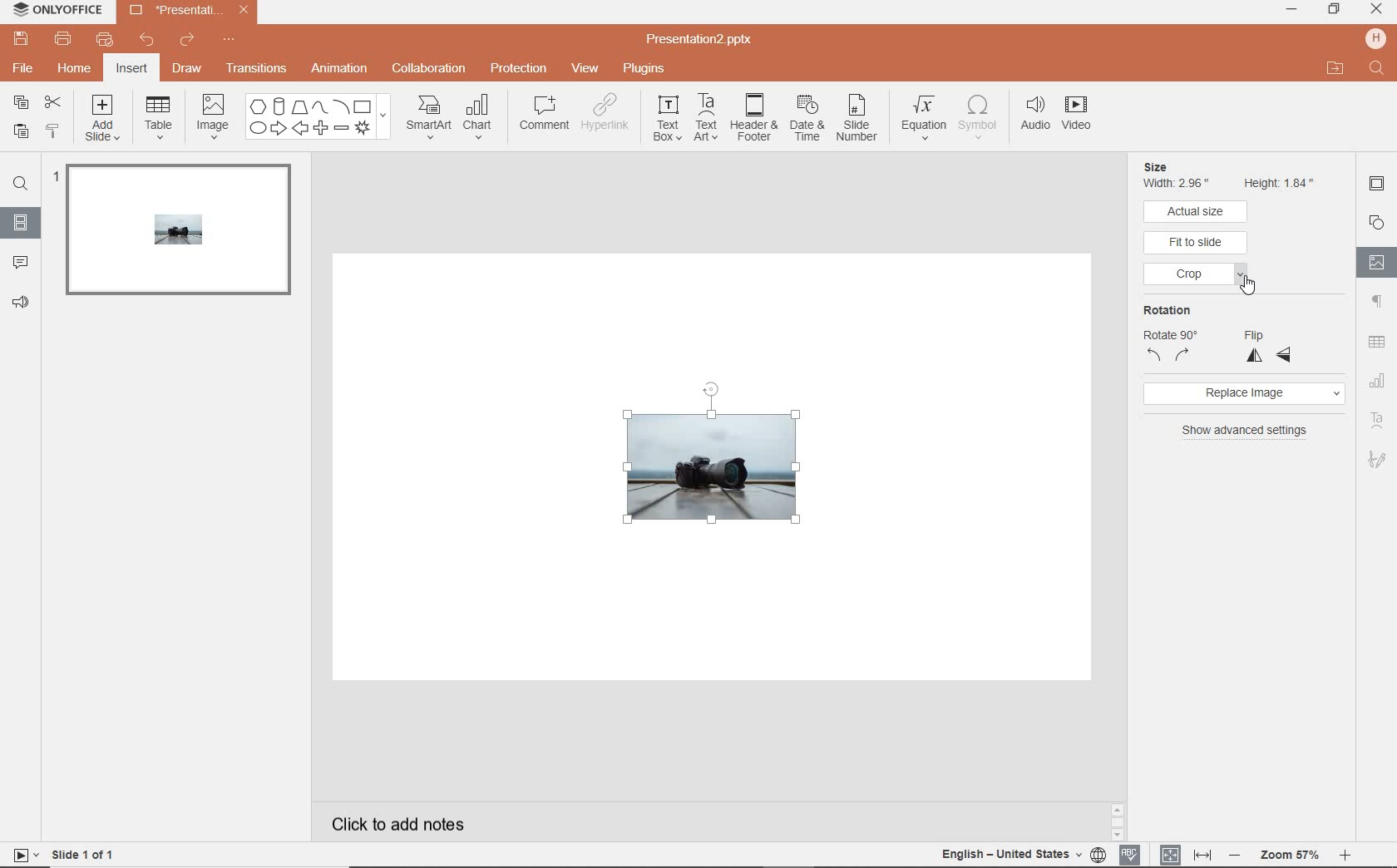  I want to click on flip, so click(1268, 343).